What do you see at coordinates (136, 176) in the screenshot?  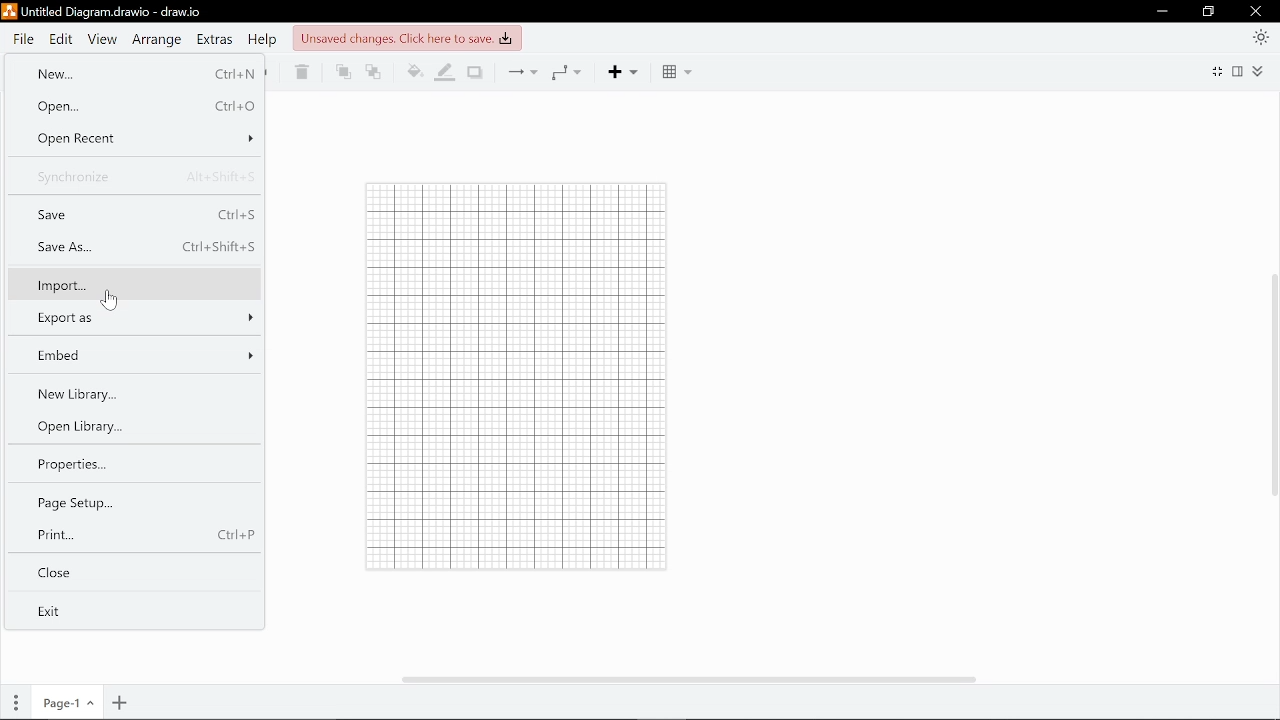 I see `Synchronize ` at bounding box center [136, 176].